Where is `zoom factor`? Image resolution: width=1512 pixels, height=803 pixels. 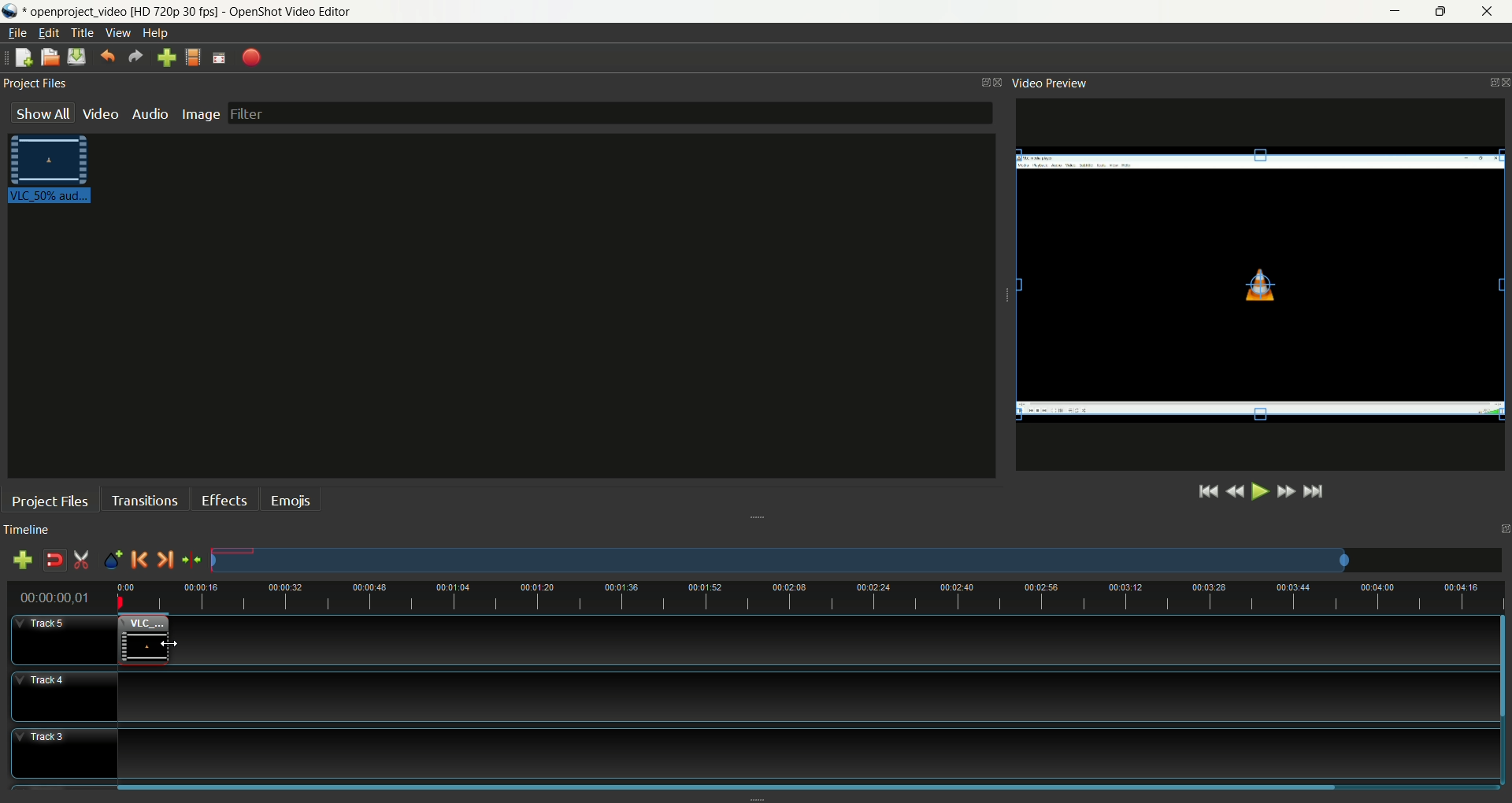
zoom factor is located at coordinates (856, 561).